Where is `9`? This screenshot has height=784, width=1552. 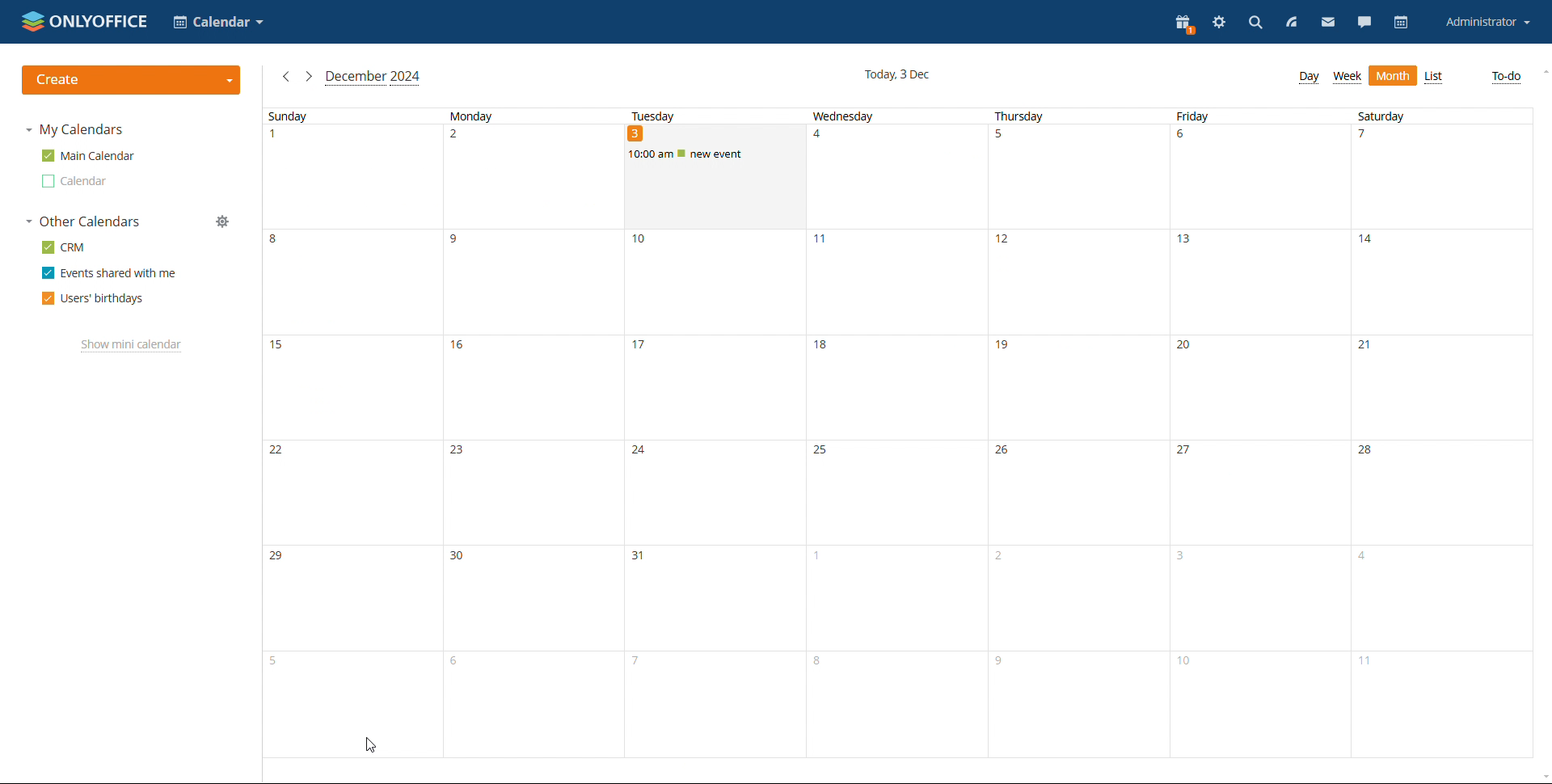 9 is located at coordinates (531, 283).